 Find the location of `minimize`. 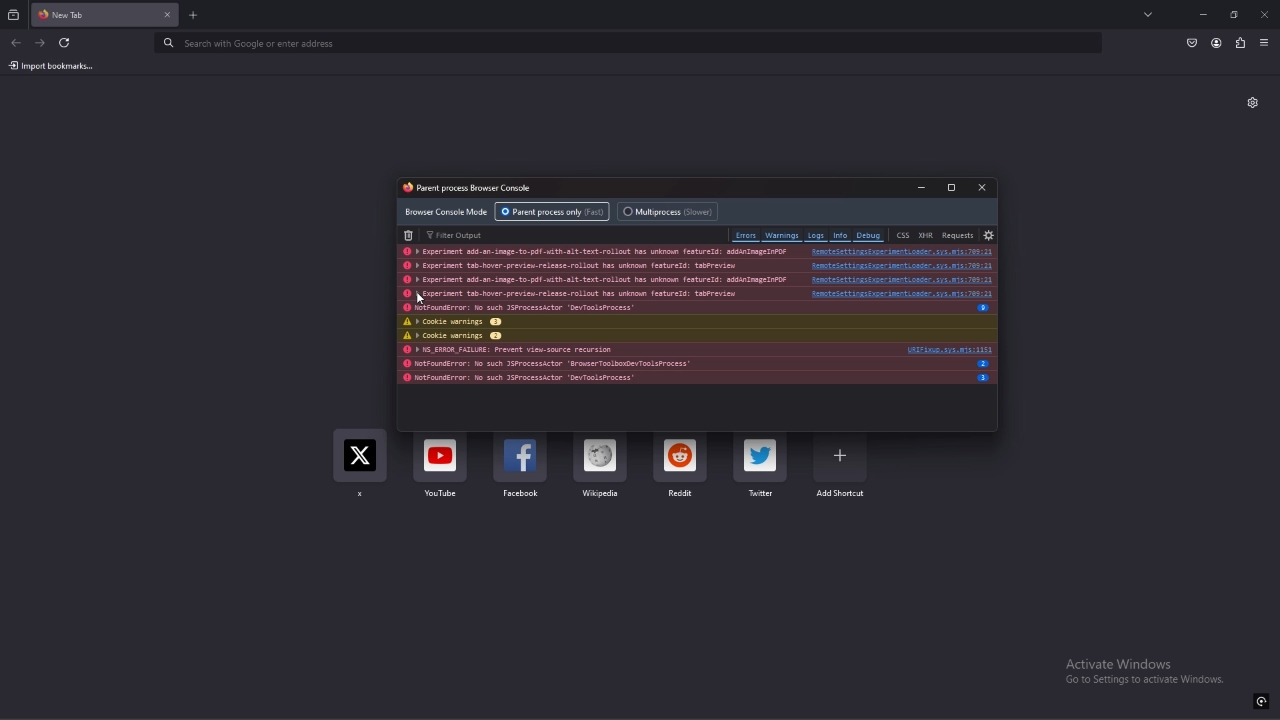

minimize is located at coordinates (1204, 14).